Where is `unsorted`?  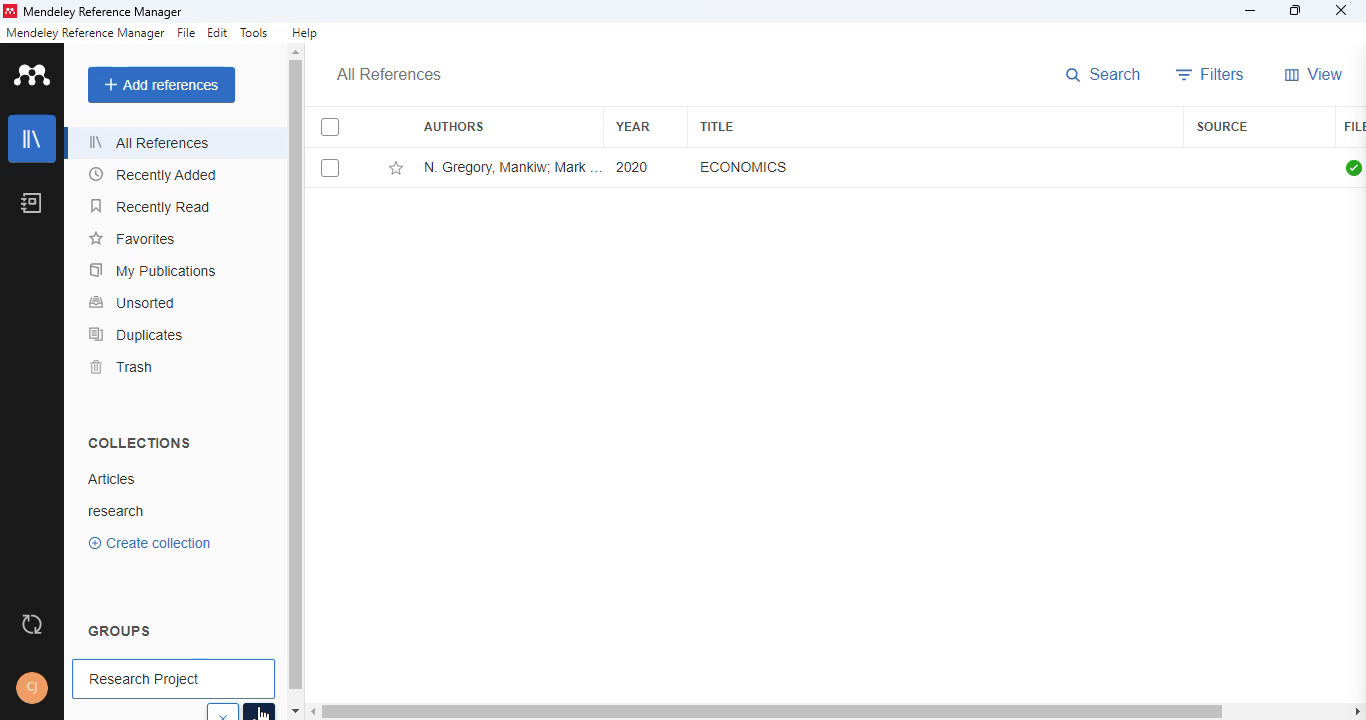 unsorted is located at coordinates (131, 302).